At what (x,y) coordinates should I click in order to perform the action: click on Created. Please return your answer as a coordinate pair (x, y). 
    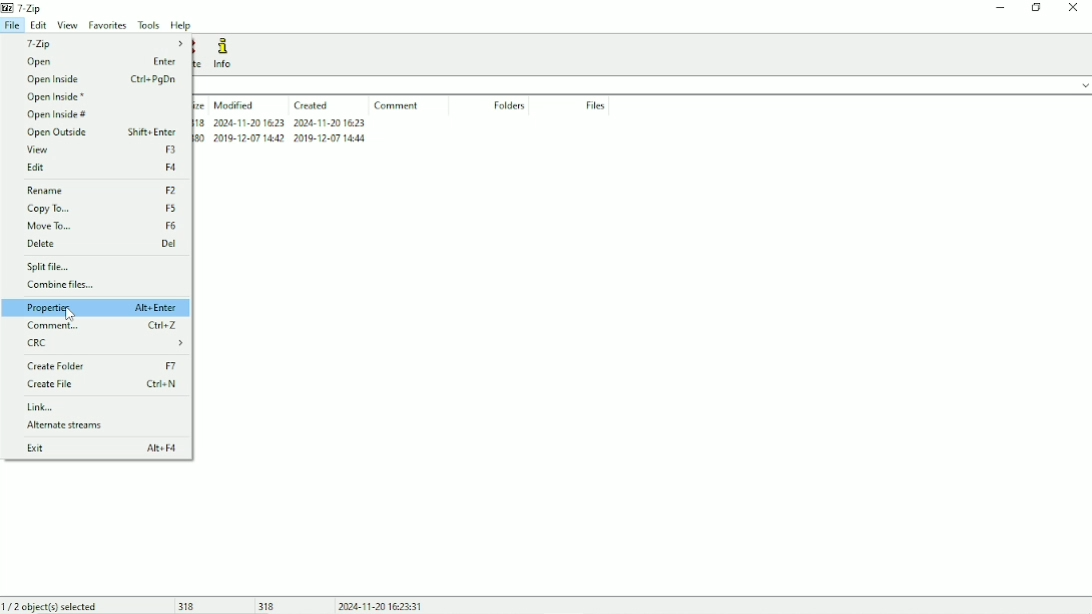
    Looking at the image, I should click on (313, 105).